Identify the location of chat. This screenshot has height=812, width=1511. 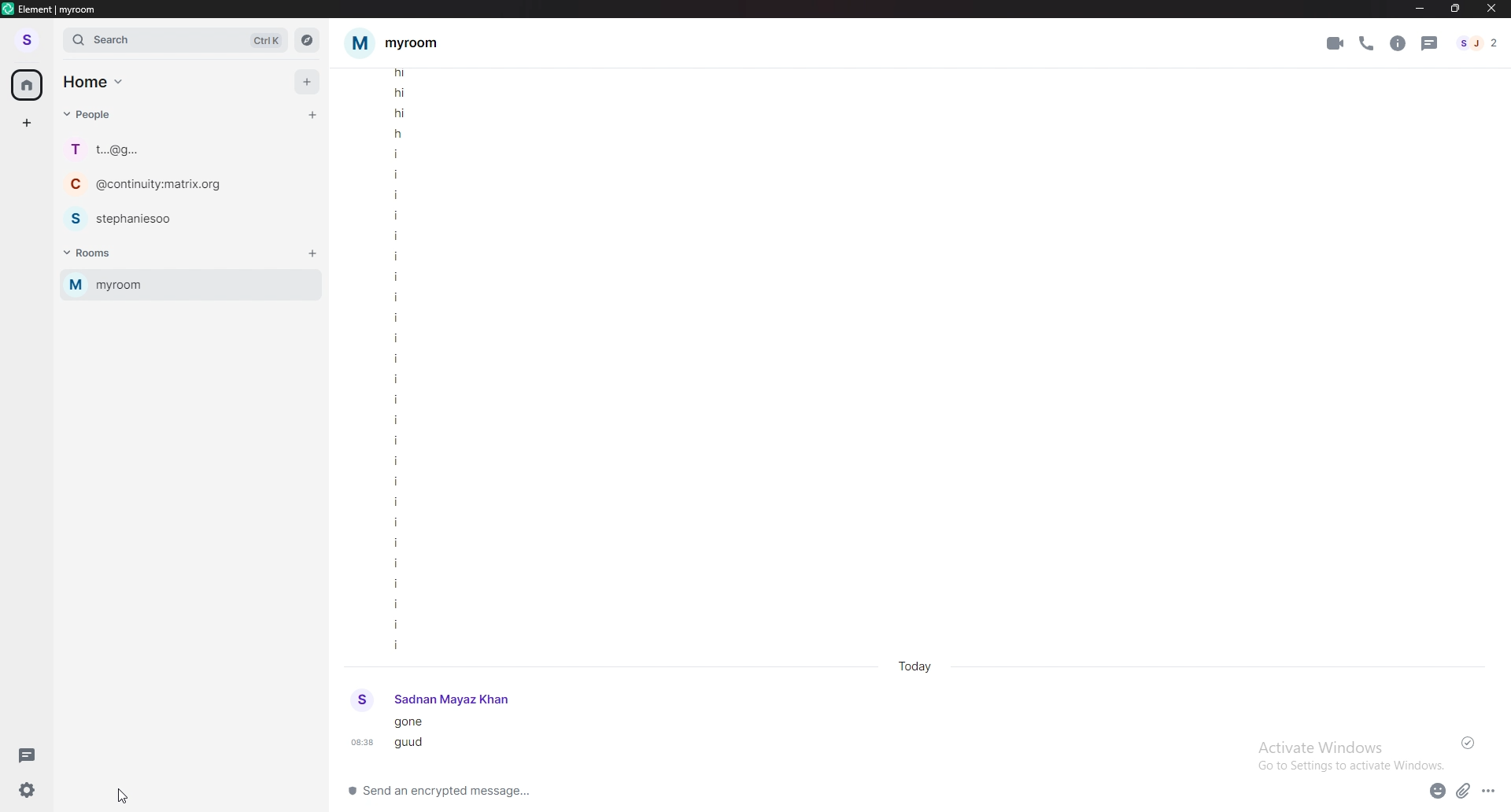
(185, 149).